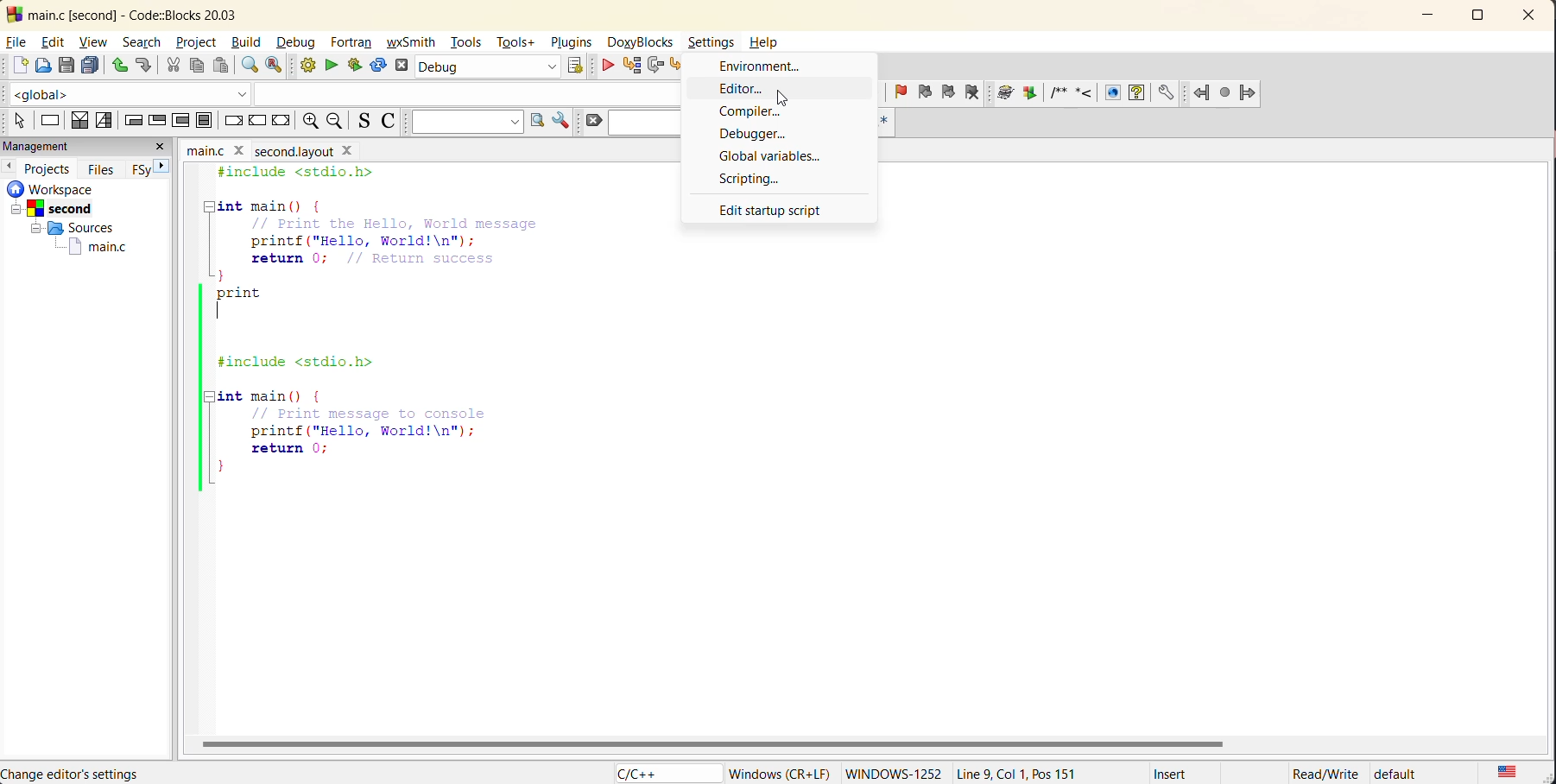 This screenshot has height=784, width=1556. Describe the element at coordinates (632, 67) in the screenshot. I see `run to cursor` at that location.